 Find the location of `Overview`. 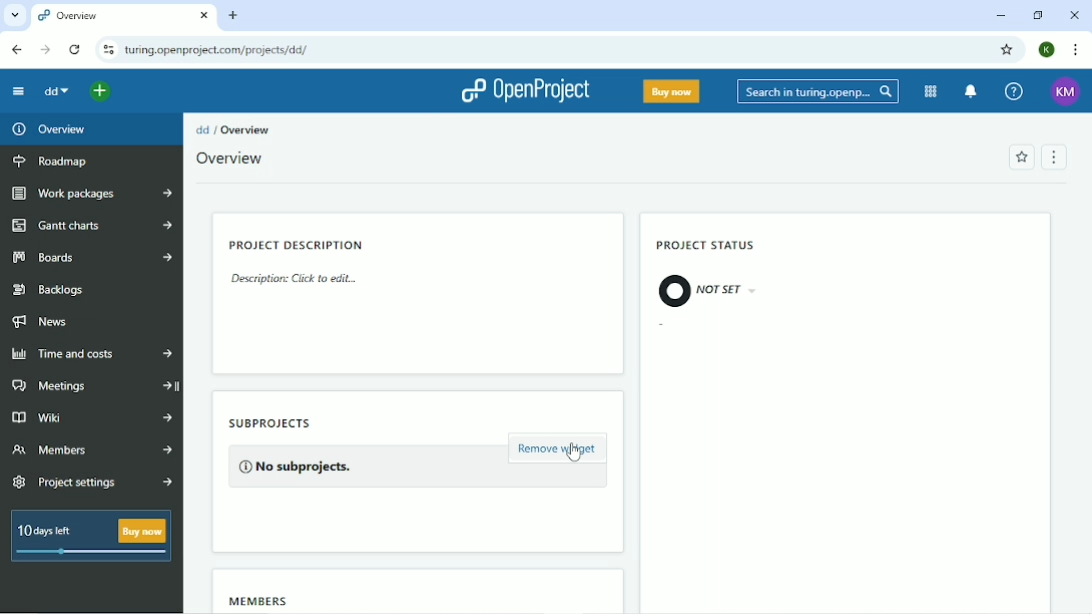

Overview is located at coordinates (249, 130).